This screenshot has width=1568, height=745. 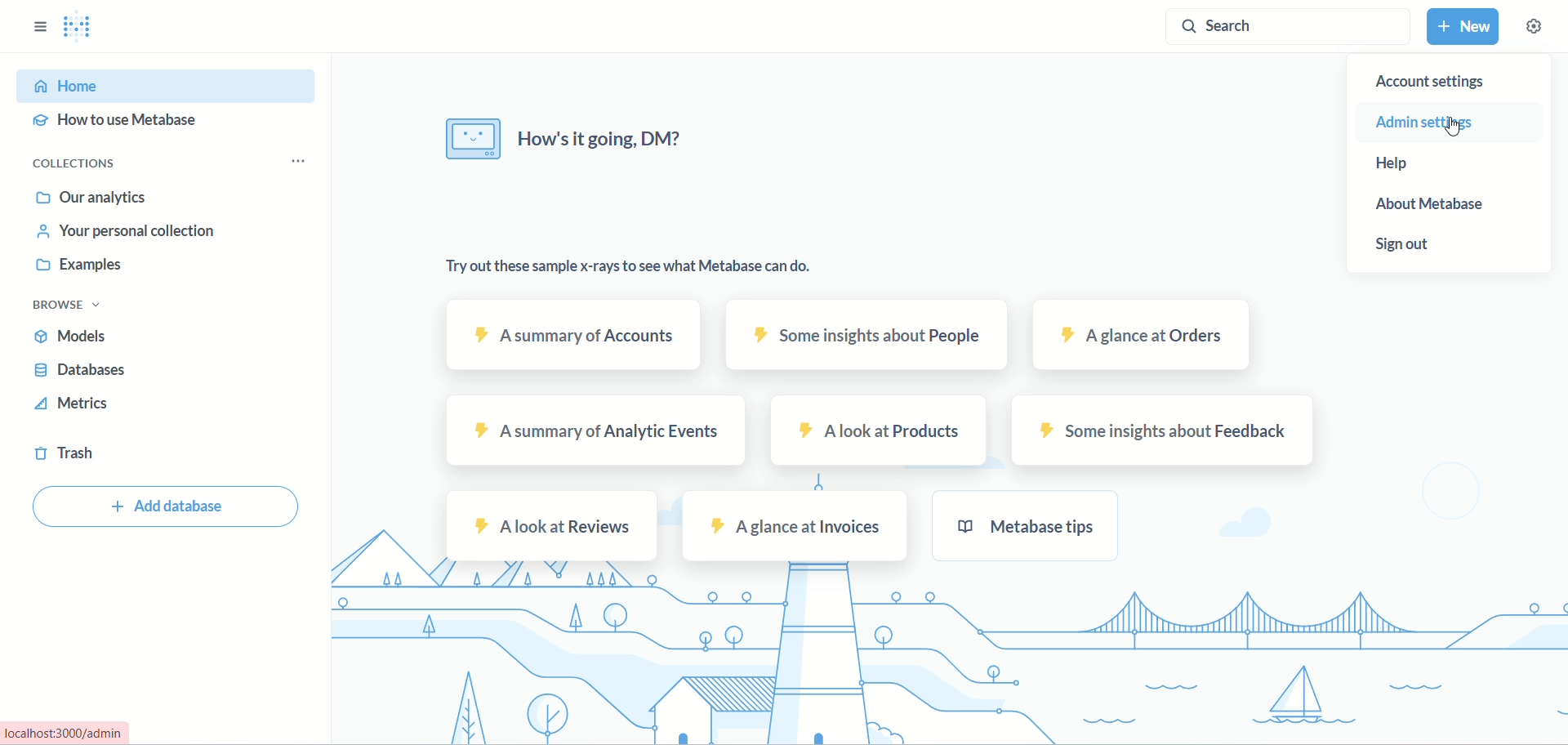 I want to click on people, so click(x=866, y=337).